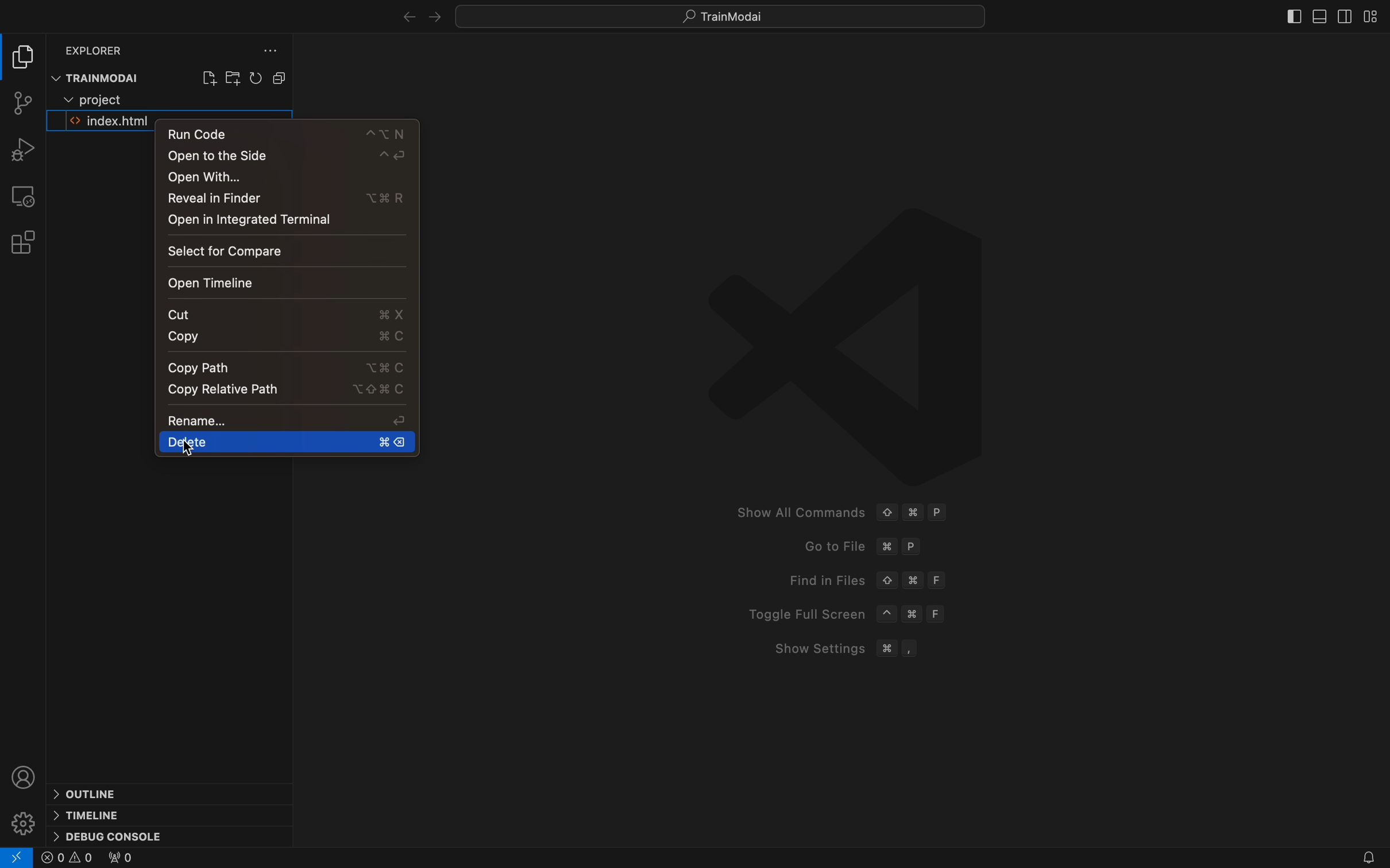 This screenshot has height=868, width=1390. What do you see at coordinates (386, 198) in the screenshot?
I see `R` at bounding box center [386, 198].